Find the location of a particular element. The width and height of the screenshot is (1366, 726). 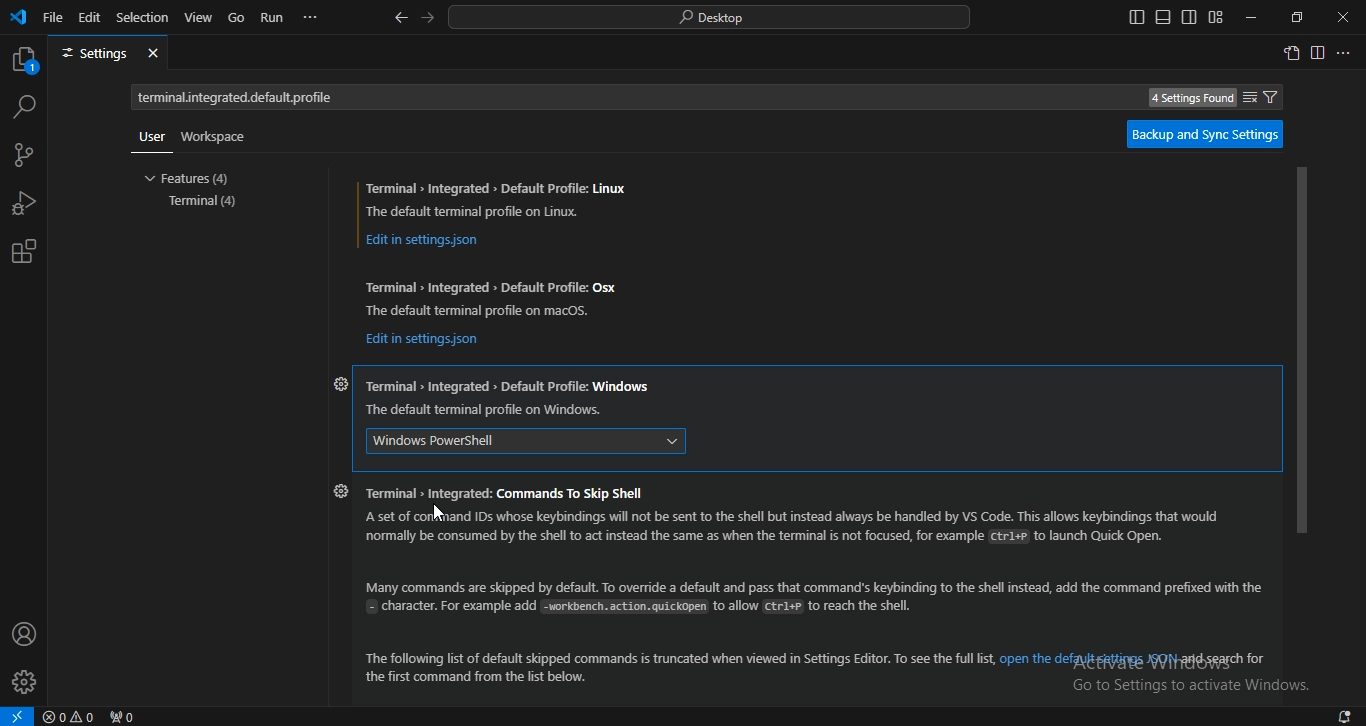

settings is located at coordinates (108, 53).